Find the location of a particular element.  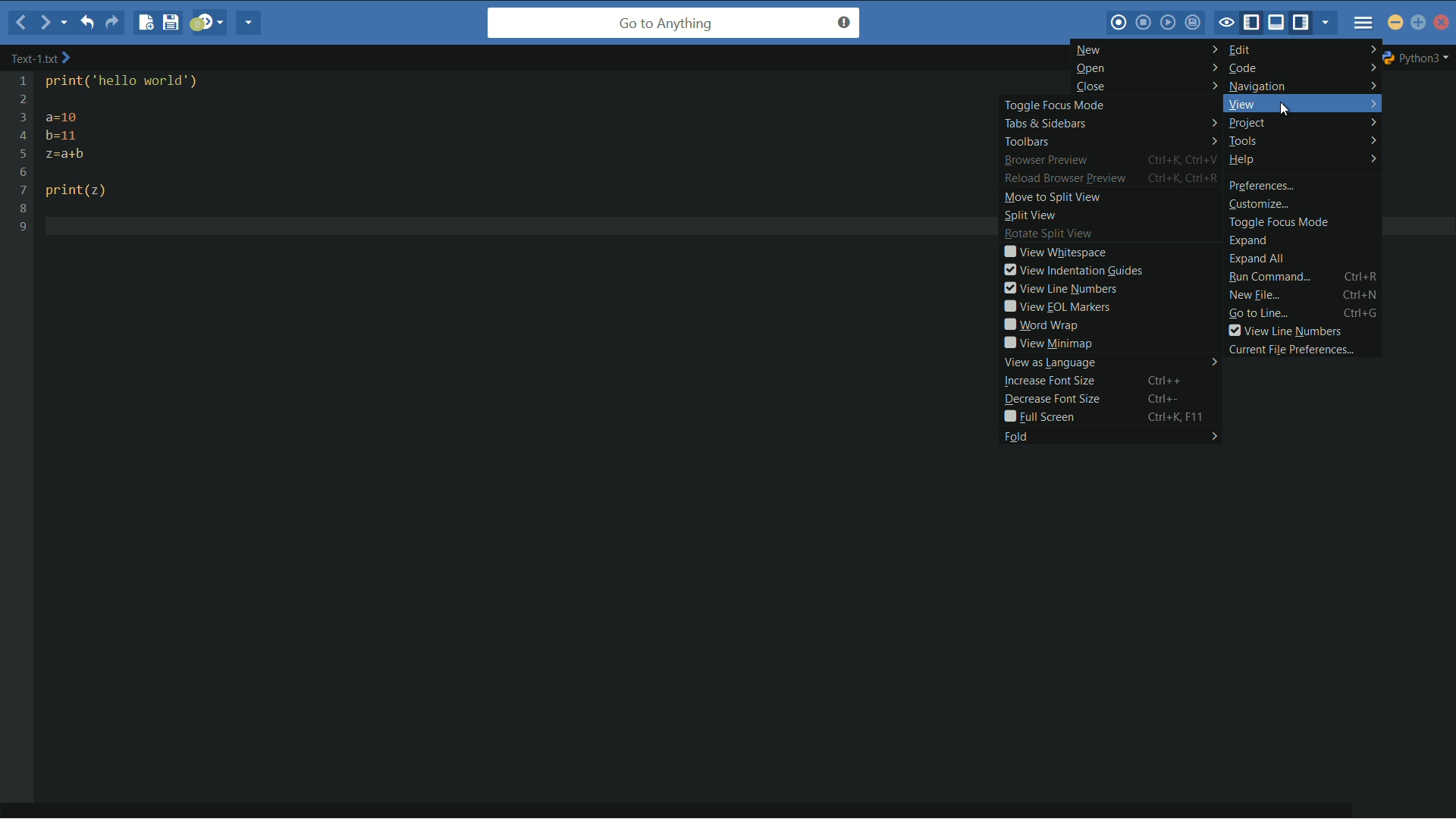

go to line is located at coordinates (1257, 314).